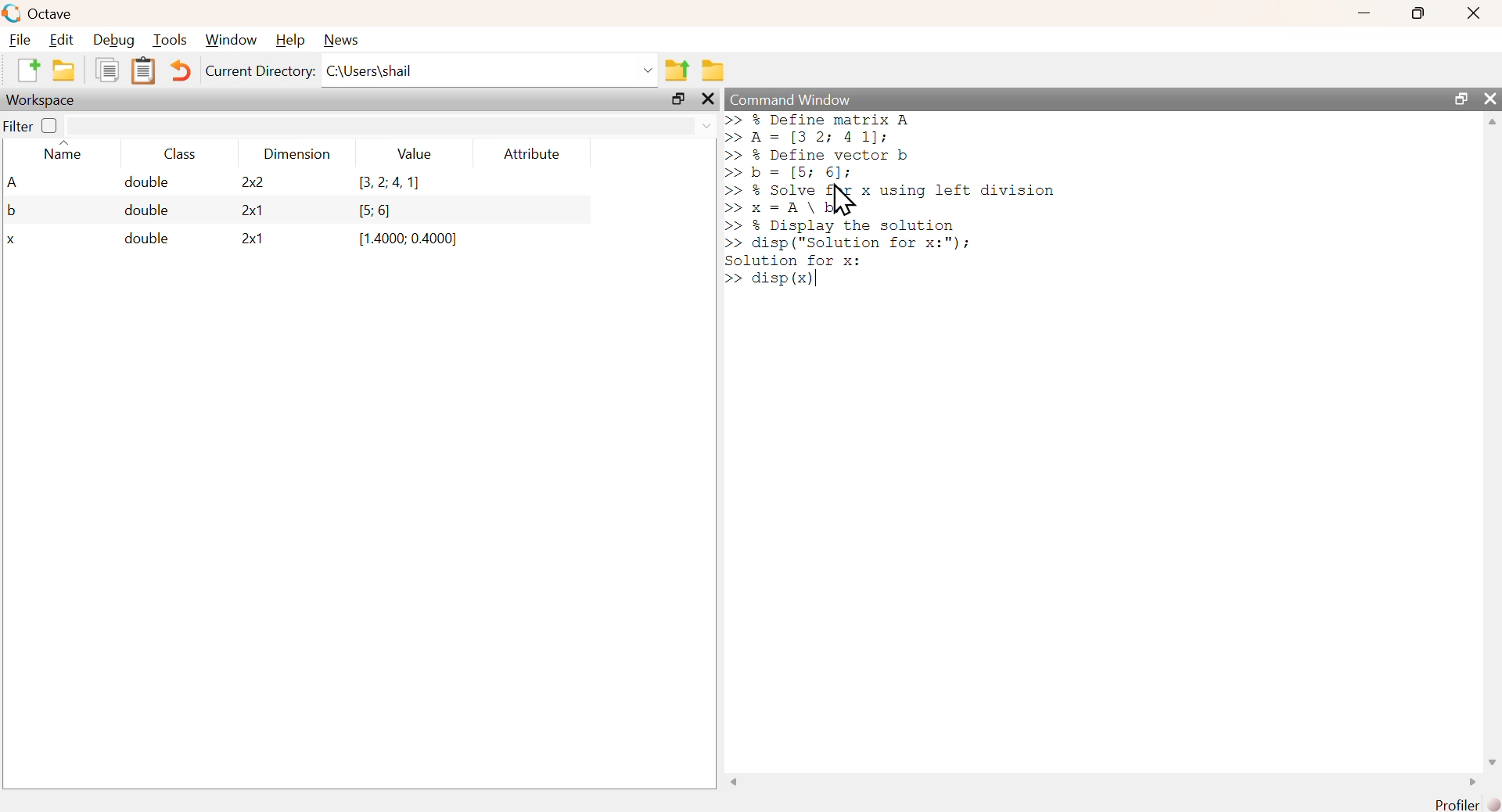 This screenshot has width=1502, height=812. I want to click on filter, so click(391, 126).